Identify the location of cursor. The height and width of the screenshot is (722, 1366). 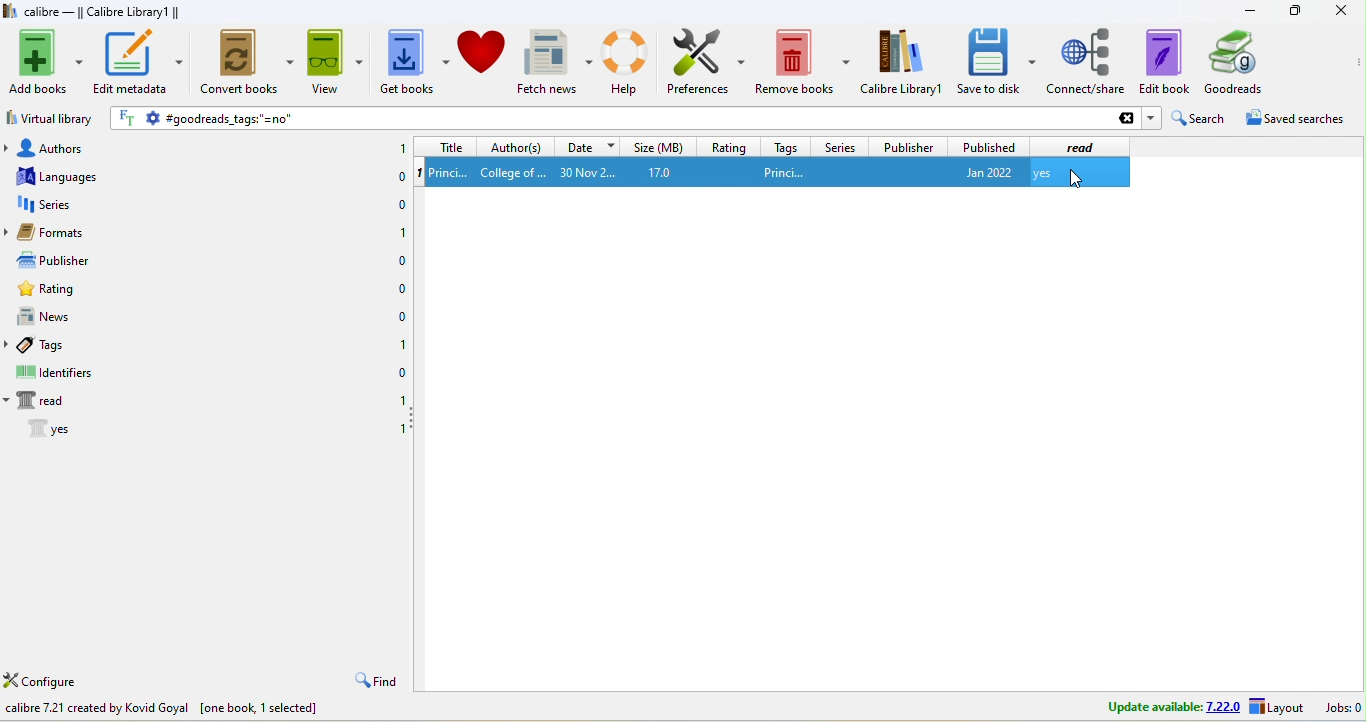
(1074, 176).